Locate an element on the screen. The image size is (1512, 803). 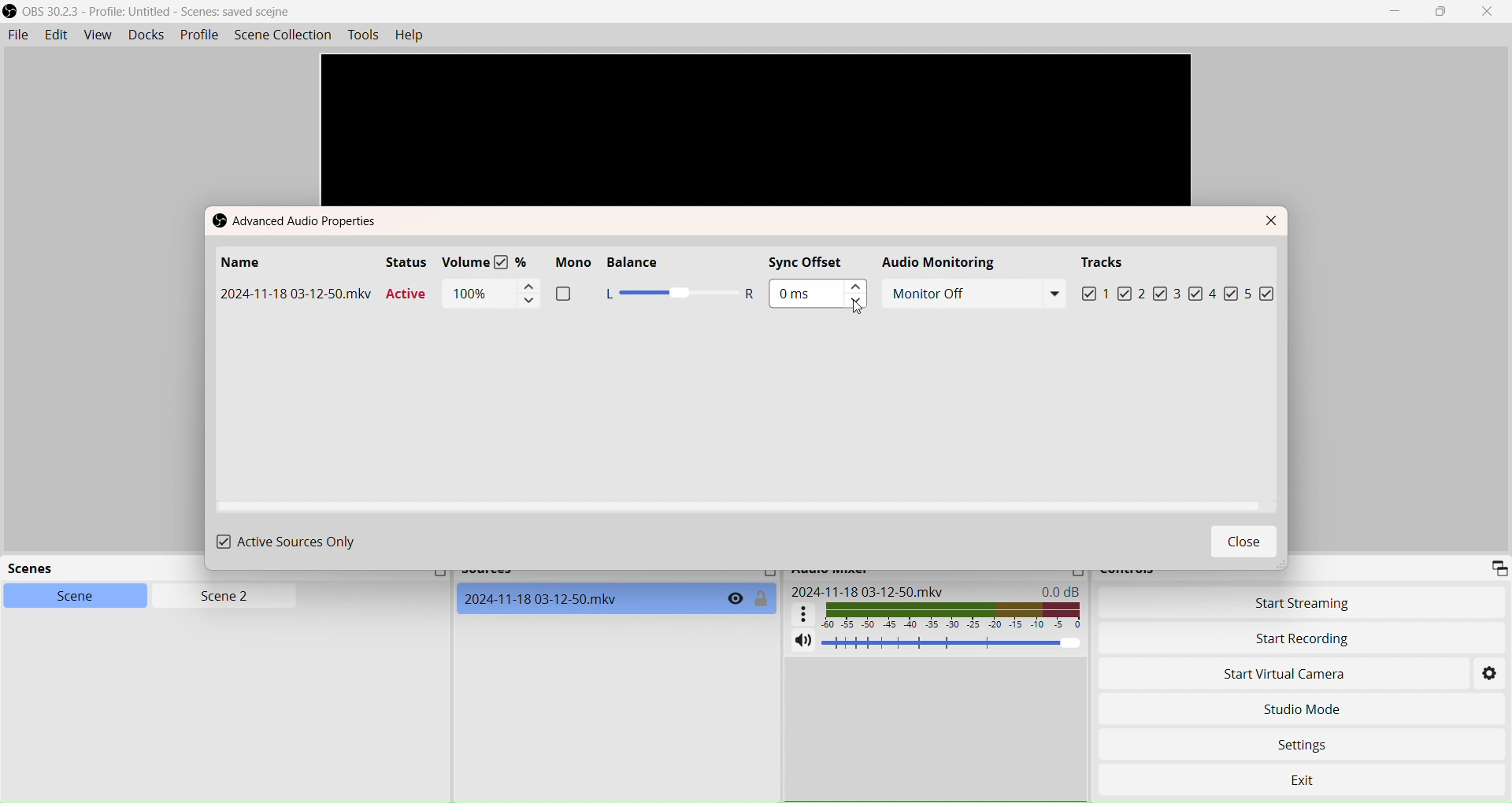
Decrement is located at coordinates (856, 305).